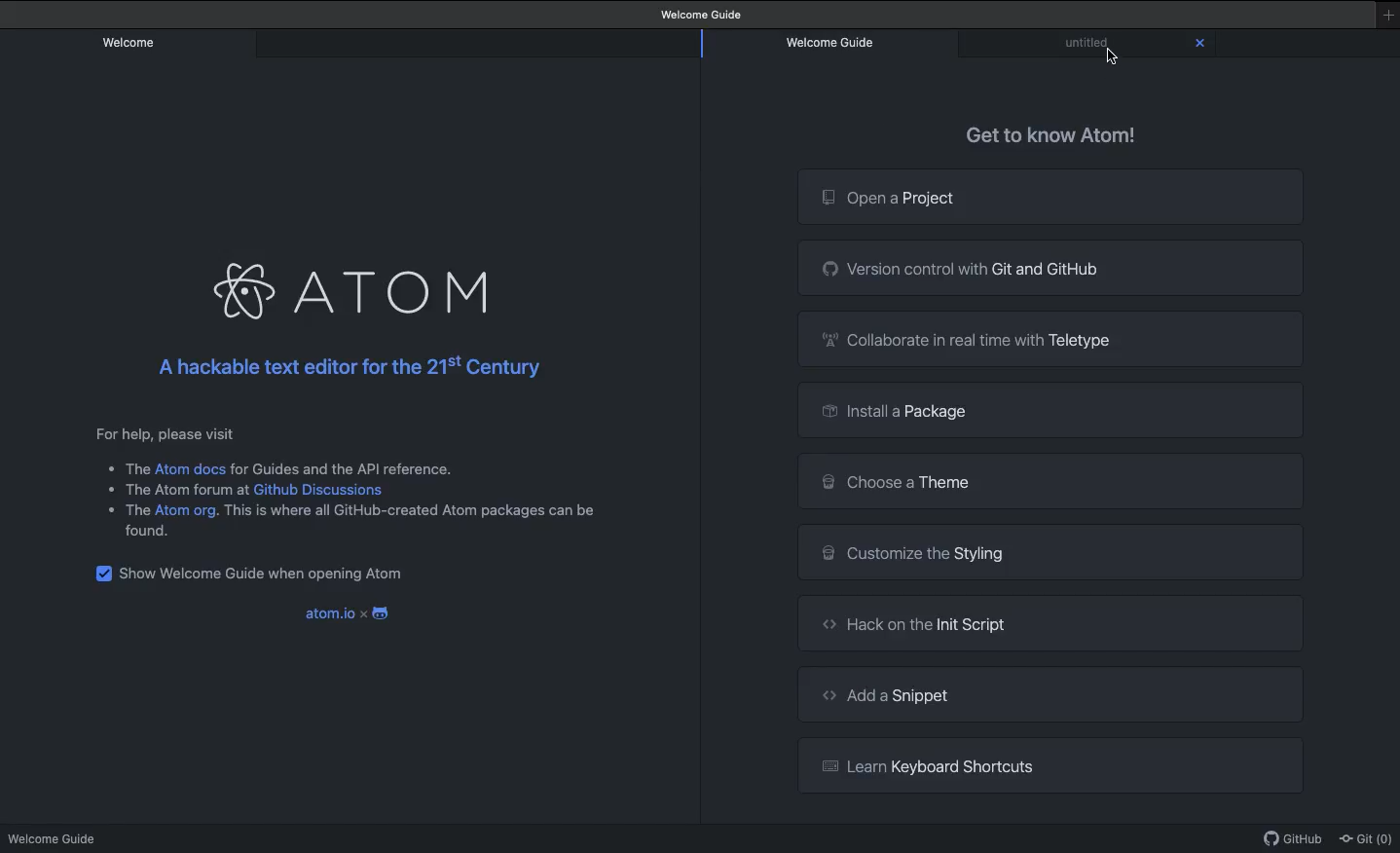 This screenshot has height=853, width=1400. Describe the element at coordinates (360, 284) in the screenshot. I see `Atom` at that location.